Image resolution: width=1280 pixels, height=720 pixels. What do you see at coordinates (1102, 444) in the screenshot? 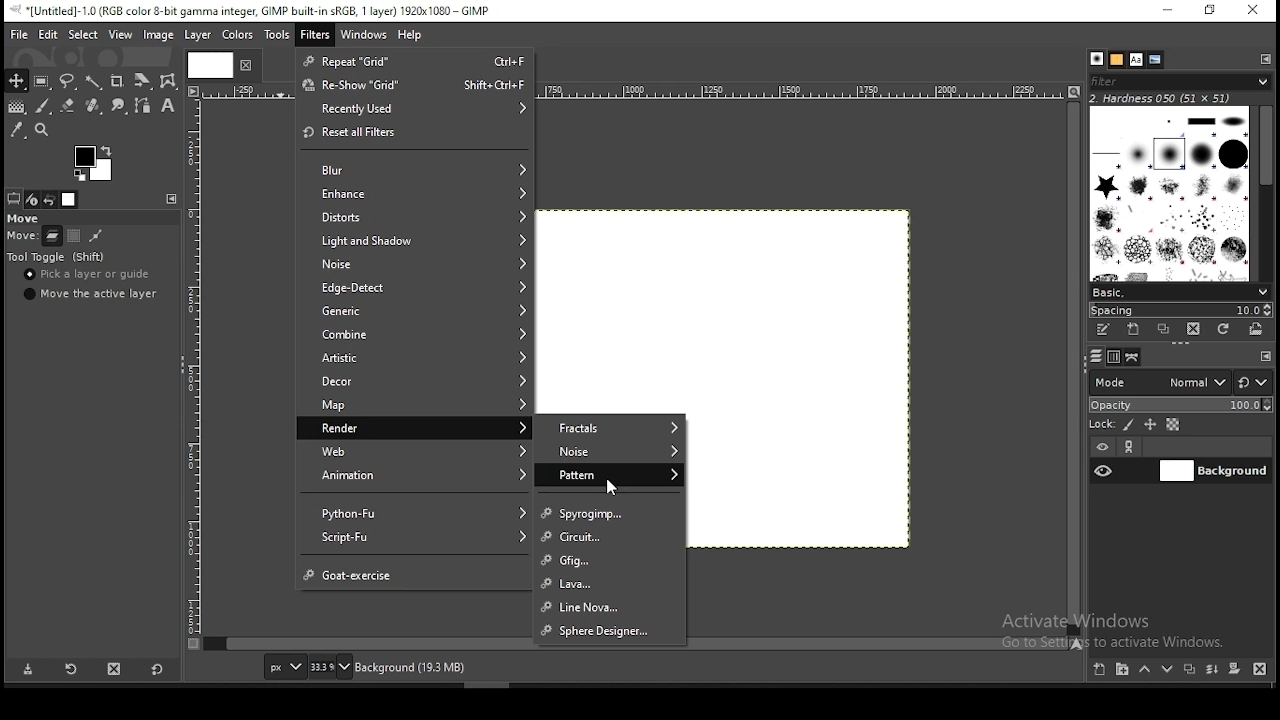
I see `layer visibility` at bounding box center [1102, 444].